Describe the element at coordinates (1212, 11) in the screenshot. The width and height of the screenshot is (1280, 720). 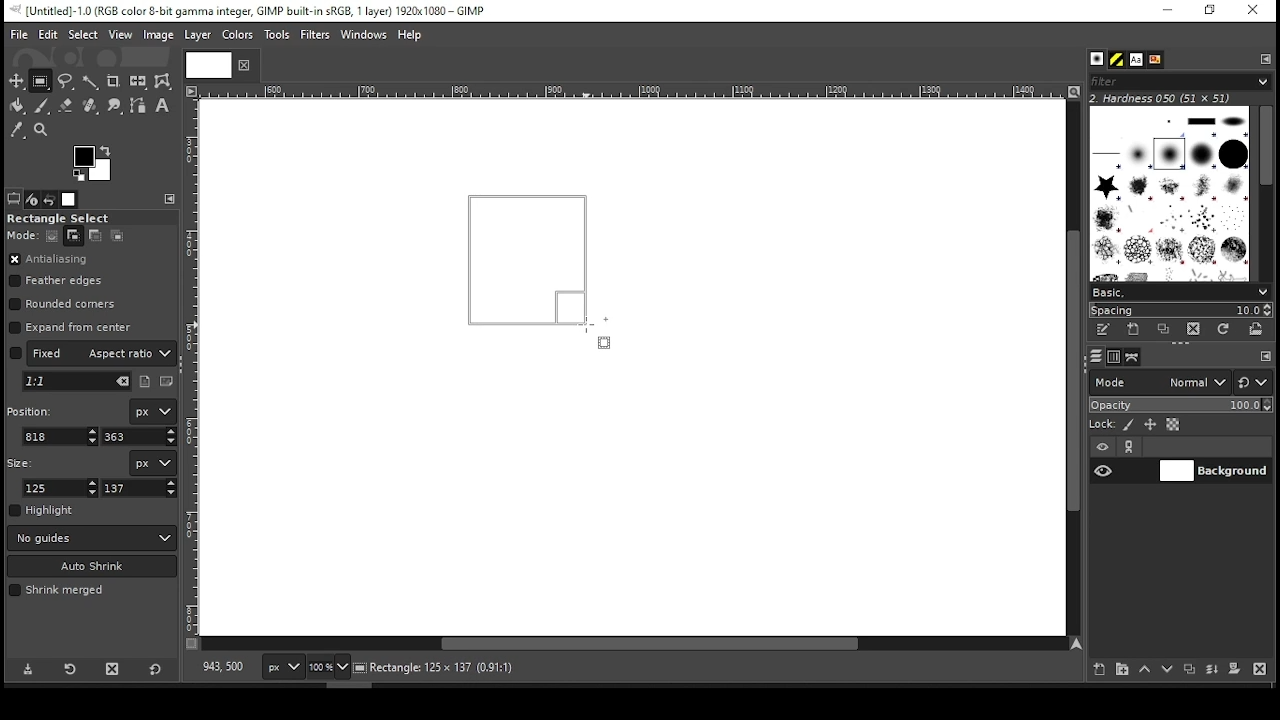
I see `restore` at that location.